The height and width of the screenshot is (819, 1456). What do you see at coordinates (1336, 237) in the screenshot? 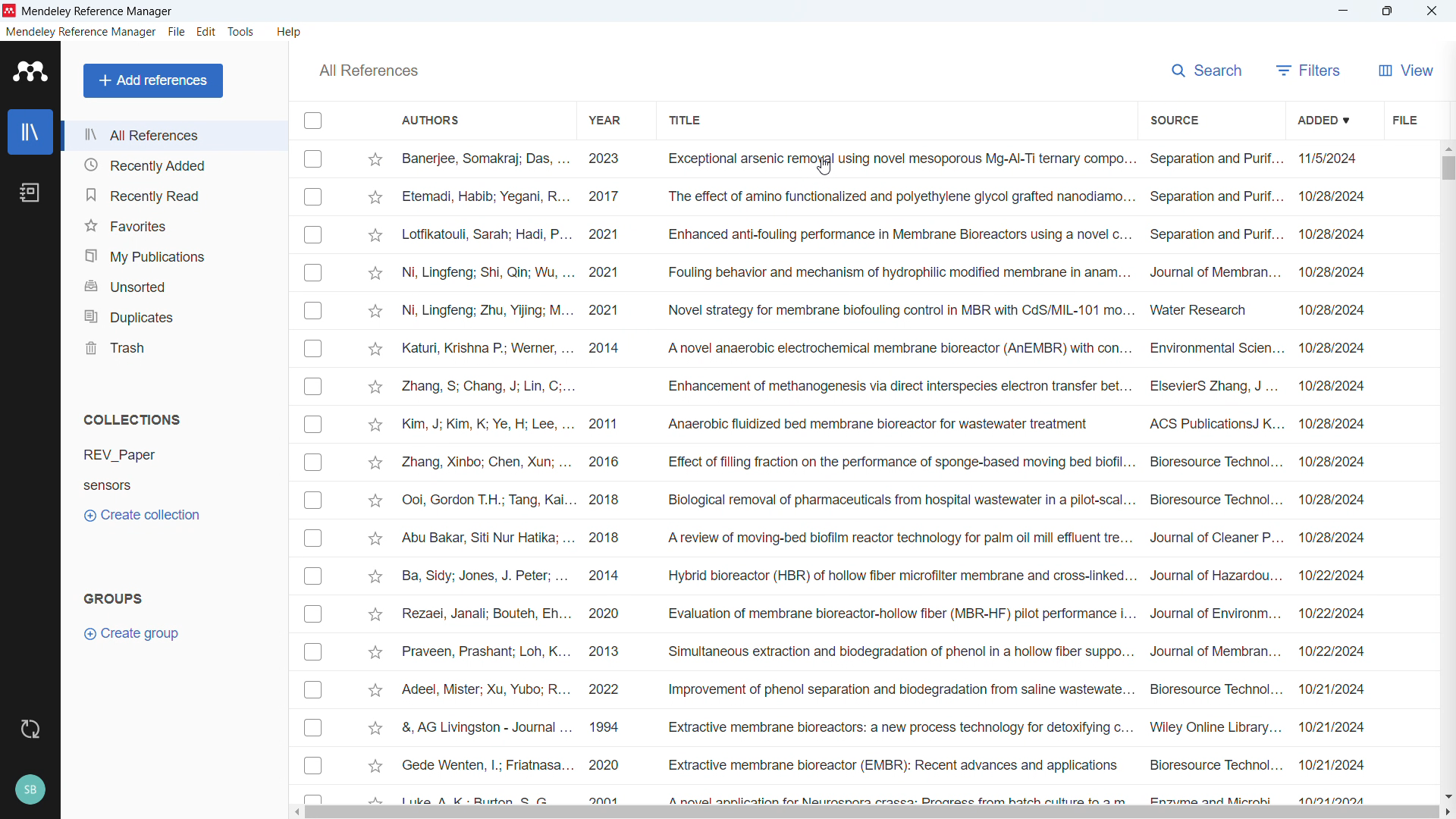
I see `10/28/2024` at bounding box center [1336, 237].